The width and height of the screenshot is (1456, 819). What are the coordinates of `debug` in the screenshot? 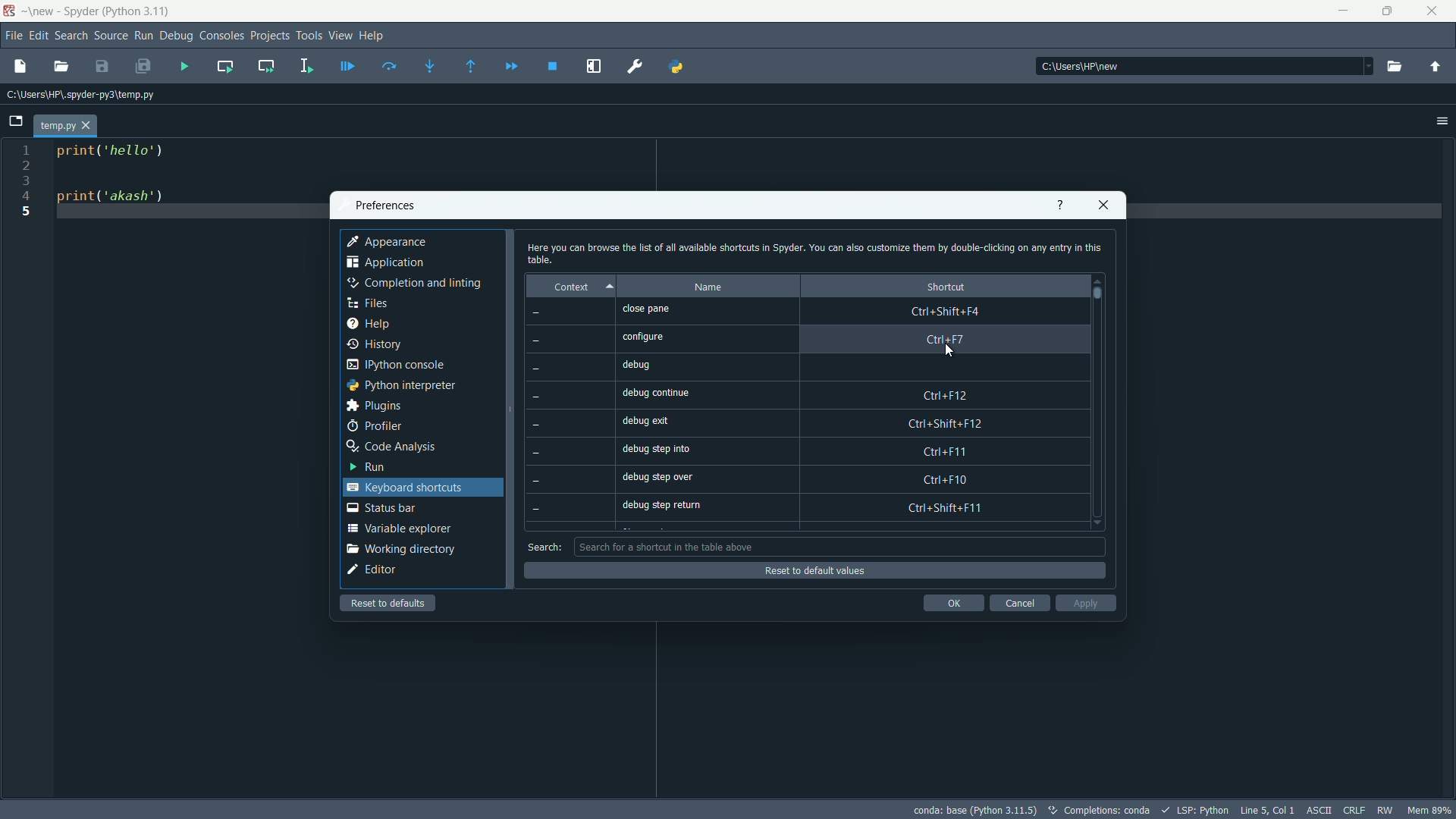 It's located at (823, 363).